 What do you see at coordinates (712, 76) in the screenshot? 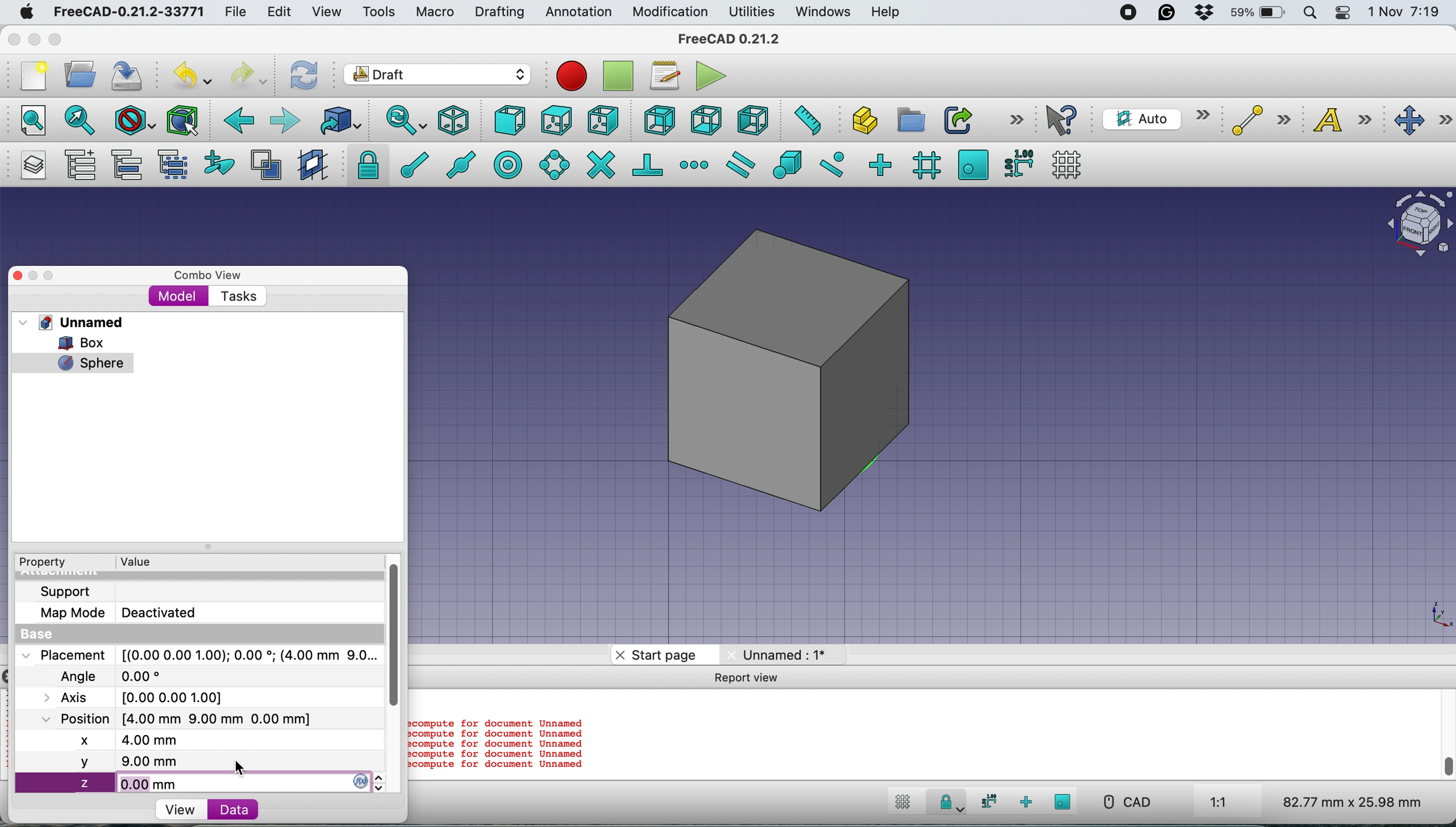
I see `execute macros` at bounding box center [712, 76].